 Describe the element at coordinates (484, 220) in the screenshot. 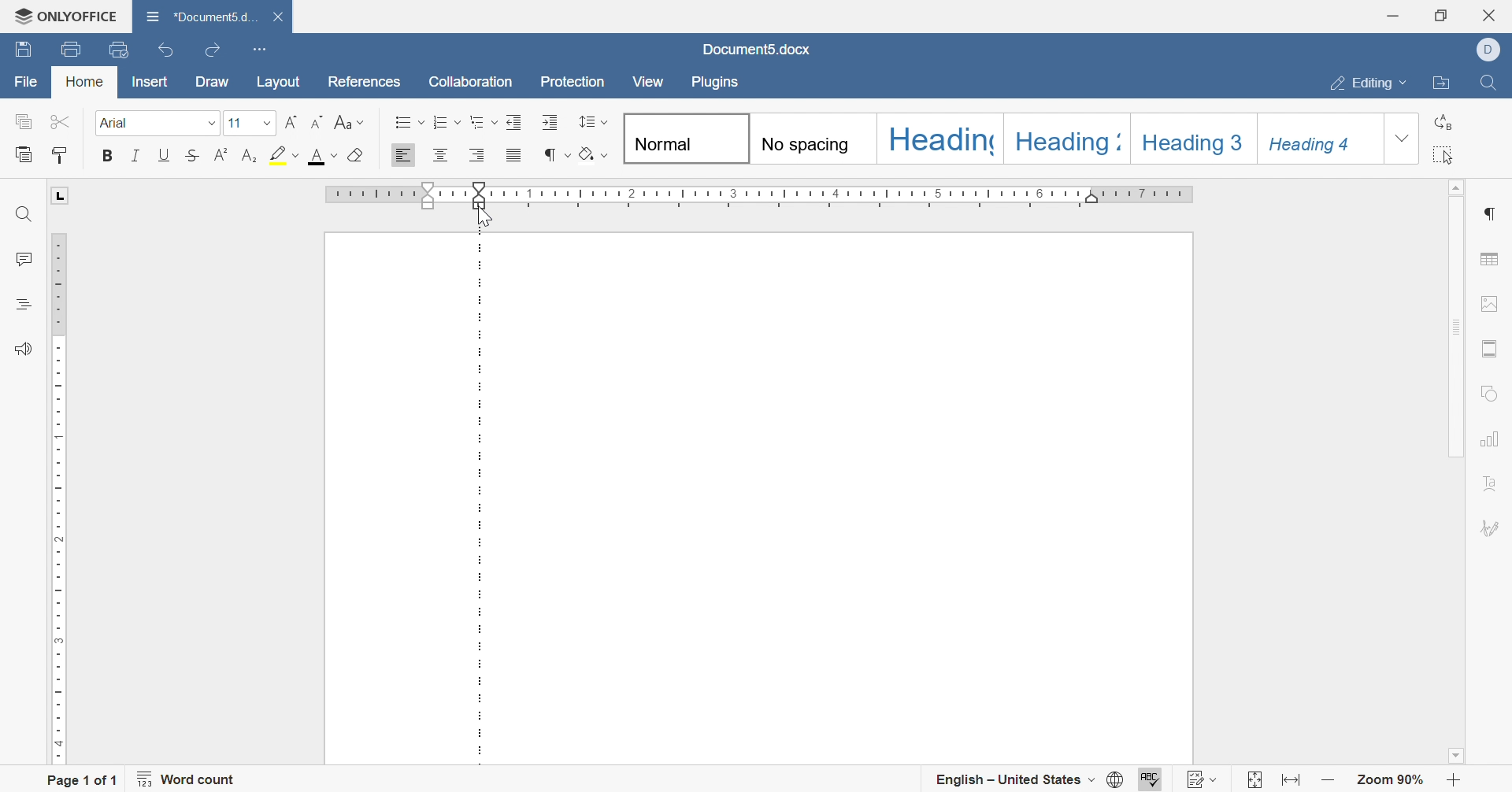

I see `cursor` at that location.